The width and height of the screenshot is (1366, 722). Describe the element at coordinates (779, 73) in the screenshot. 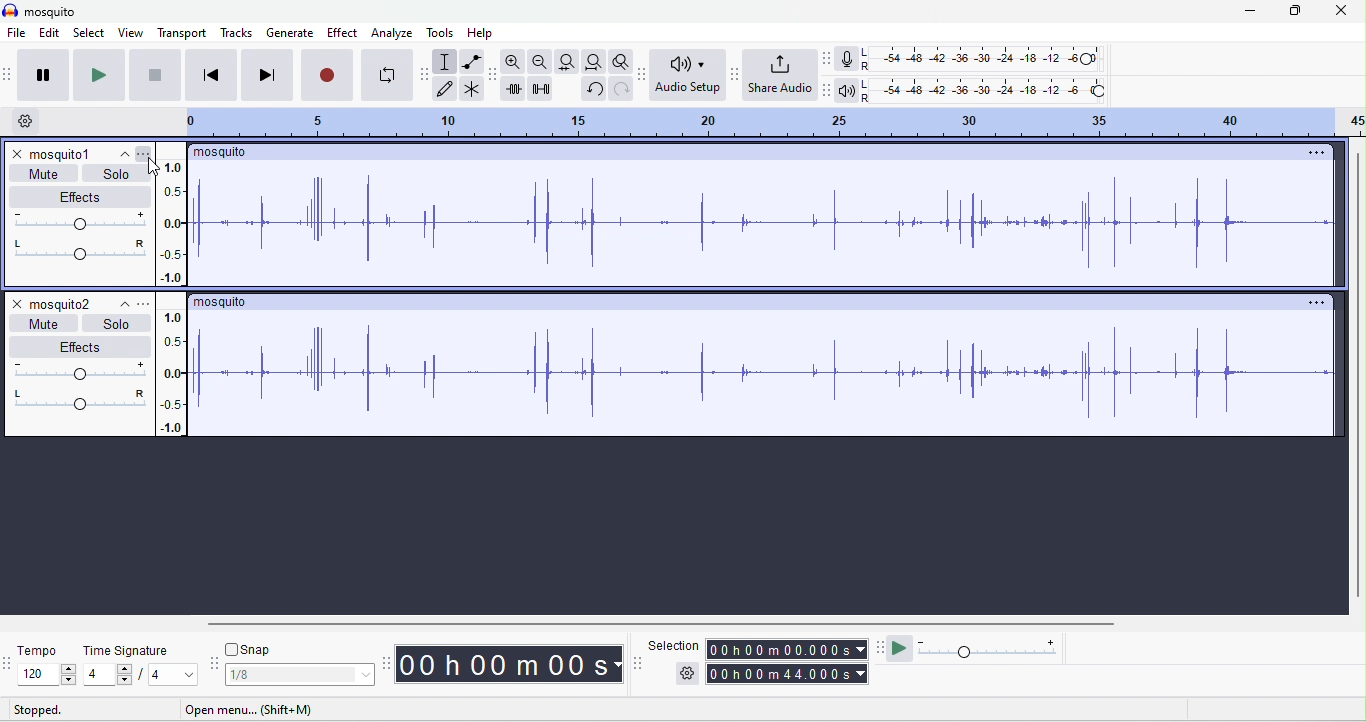

I see `share audio` at that location.